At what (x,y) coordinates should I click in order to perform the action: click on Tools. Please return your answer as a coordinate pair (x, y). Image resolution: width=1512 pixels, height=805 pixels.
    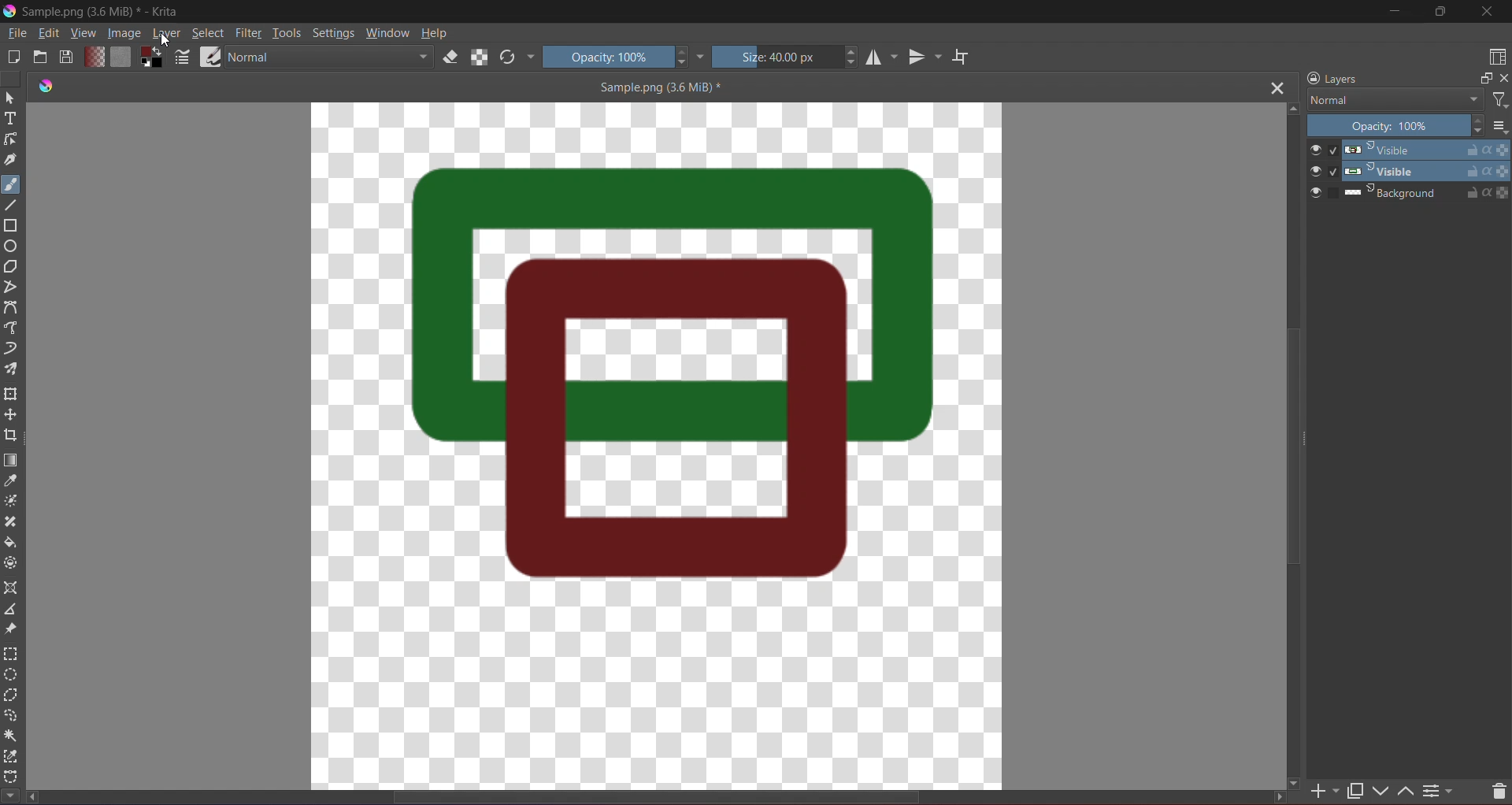
    Looking at the image, I should click on (287, 32).